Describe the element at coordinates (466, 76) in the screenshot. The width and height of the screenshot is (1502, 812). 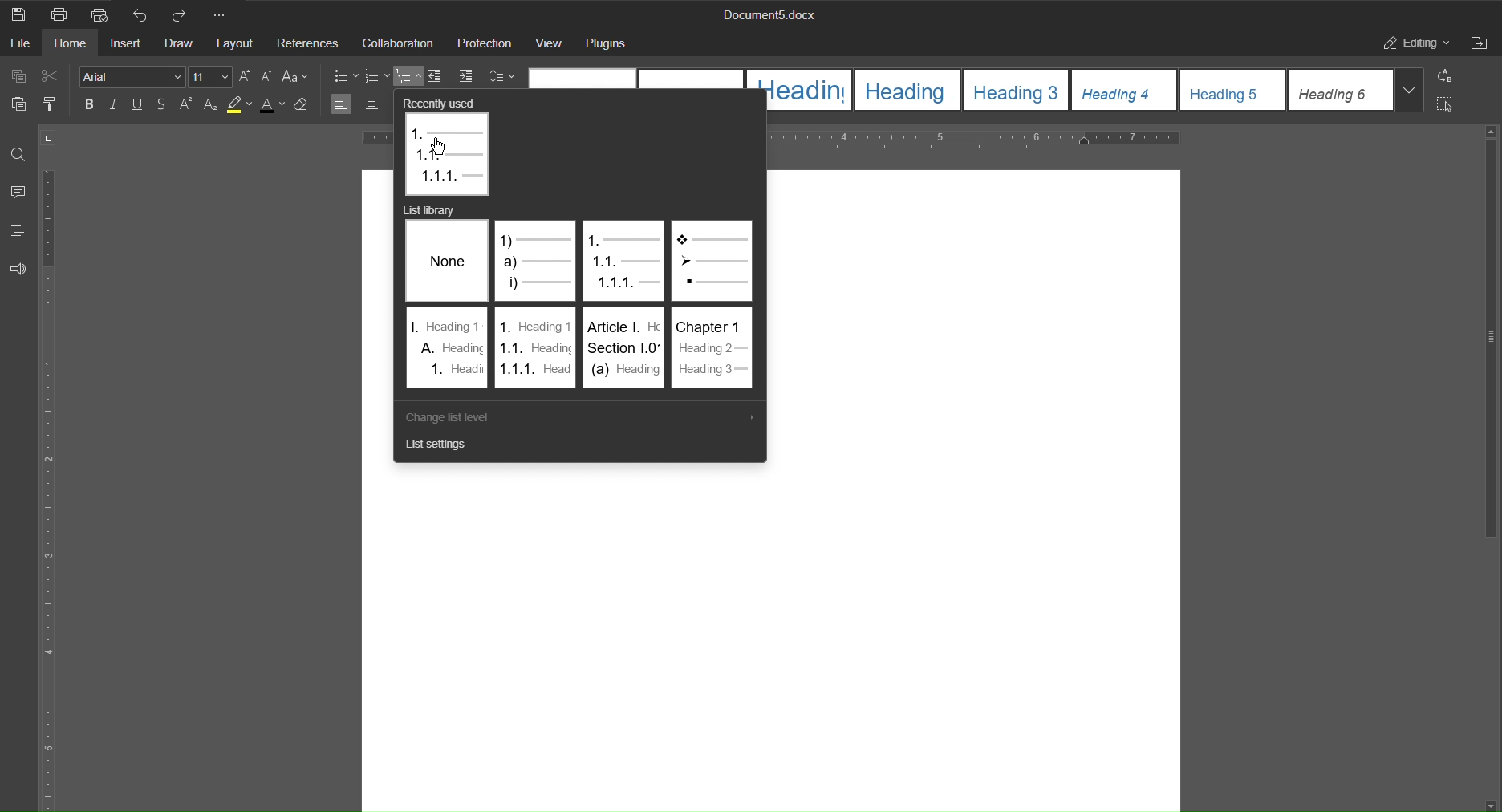
I see `Increase Indents` at that location.